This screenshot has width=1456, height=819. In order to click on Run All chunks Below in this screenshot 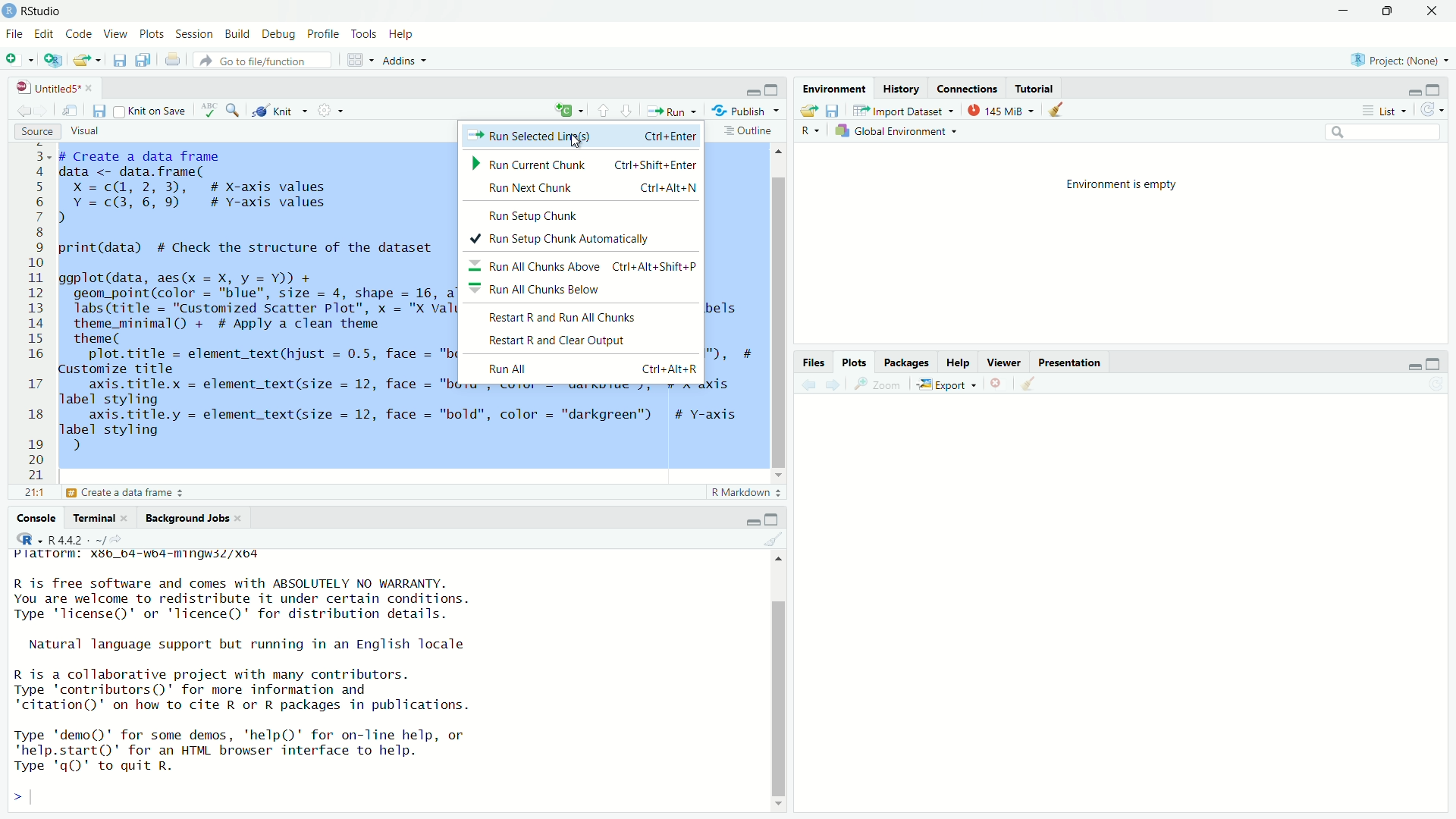, I will do `click(534, 290)`.